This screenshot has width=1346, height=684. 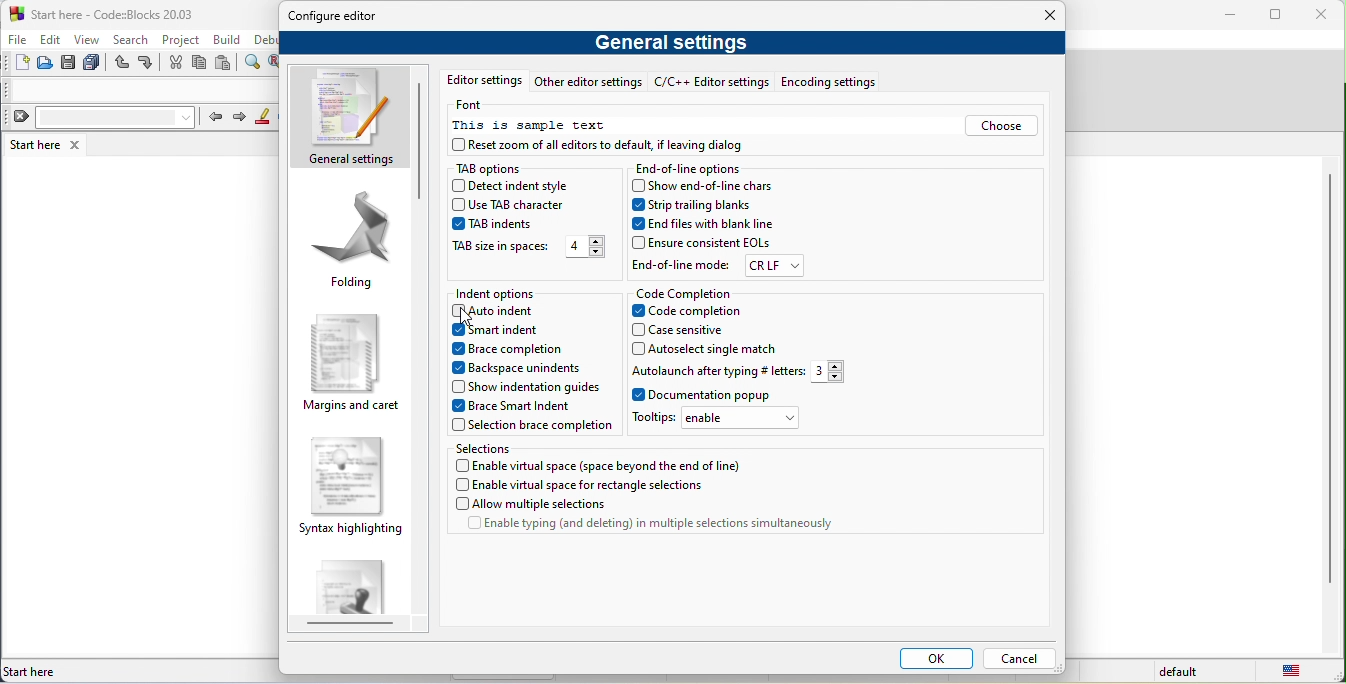 I want to click on c/c ++ editor settings, so click(x=710, y=82).